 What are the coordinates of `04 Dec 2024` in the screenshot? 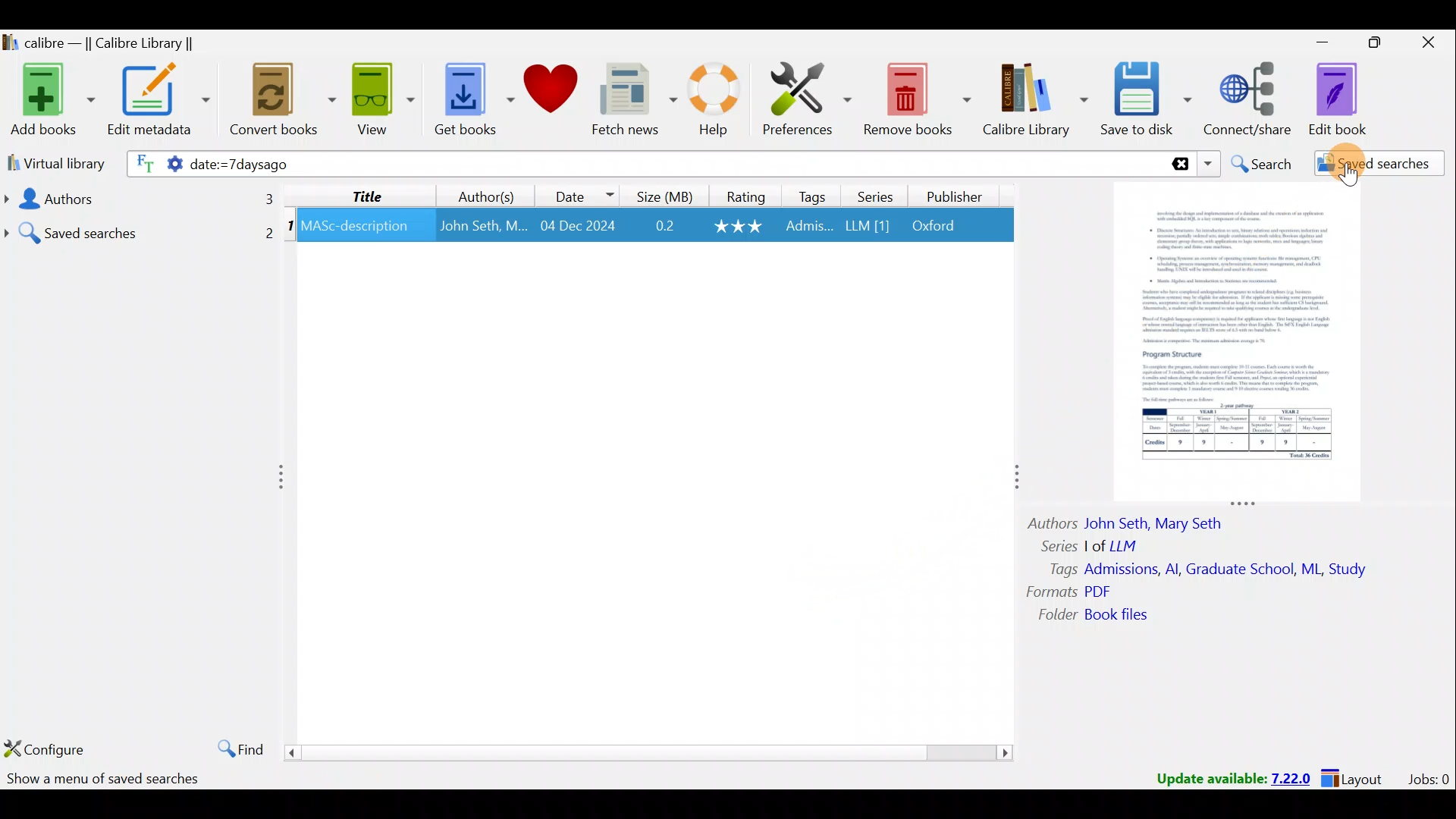 It's located at (578, 227).